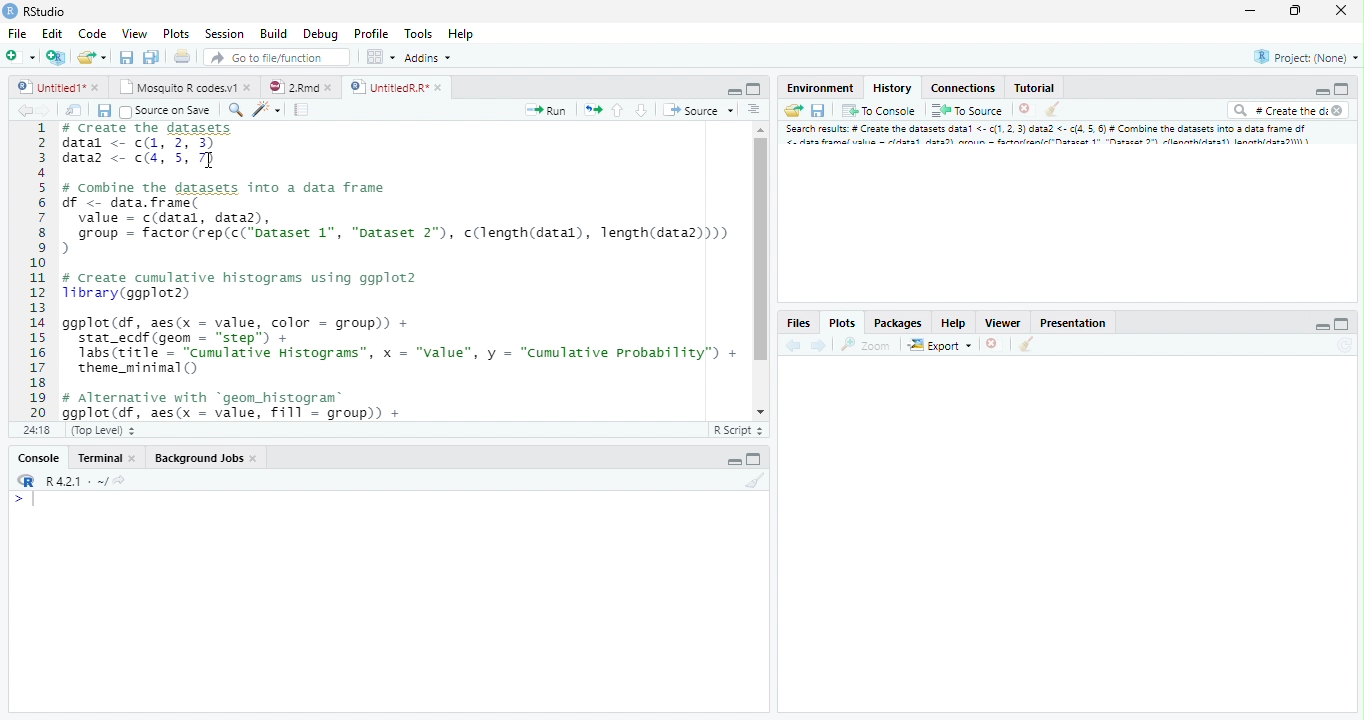 The width and height of the screenshot is (1364, 720). Describe the element at coordinates (546, 110) in the screenshot. I see `Run` at that location.